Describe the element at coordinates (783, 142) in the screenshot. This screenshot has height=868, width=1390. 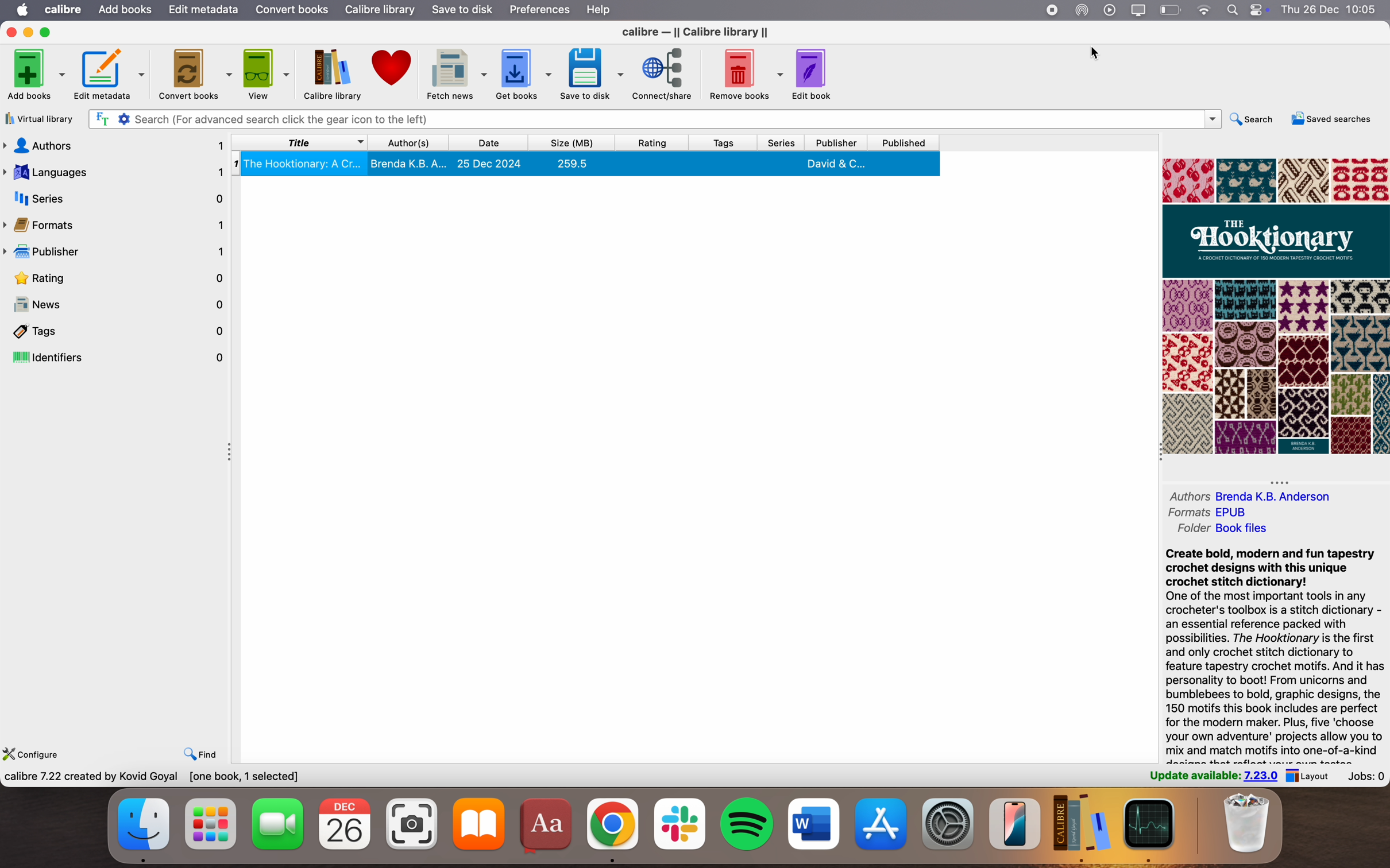
I see `series` at that location.